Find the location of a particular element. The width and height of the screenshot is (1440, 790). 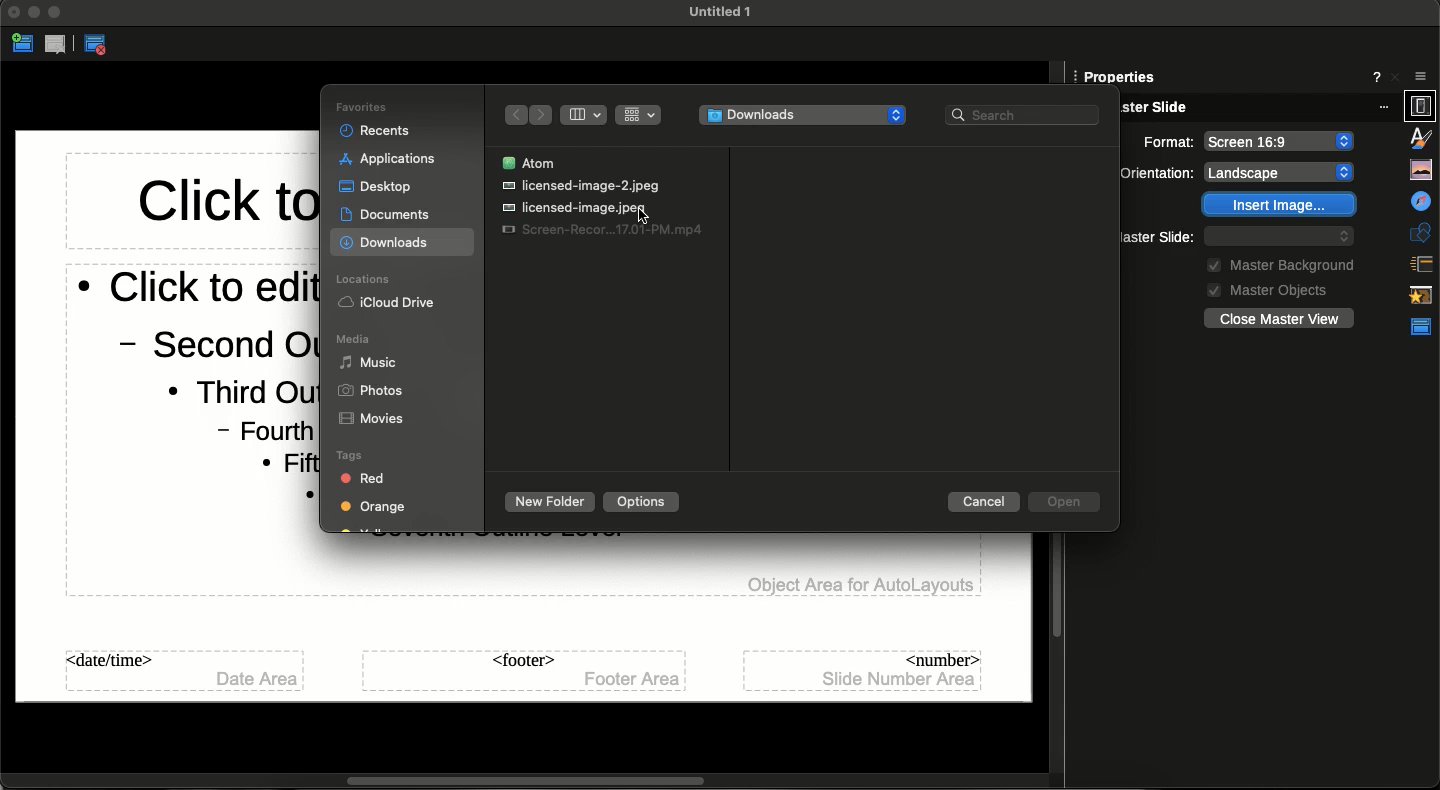

Master title is located at coordinates (225, 208).